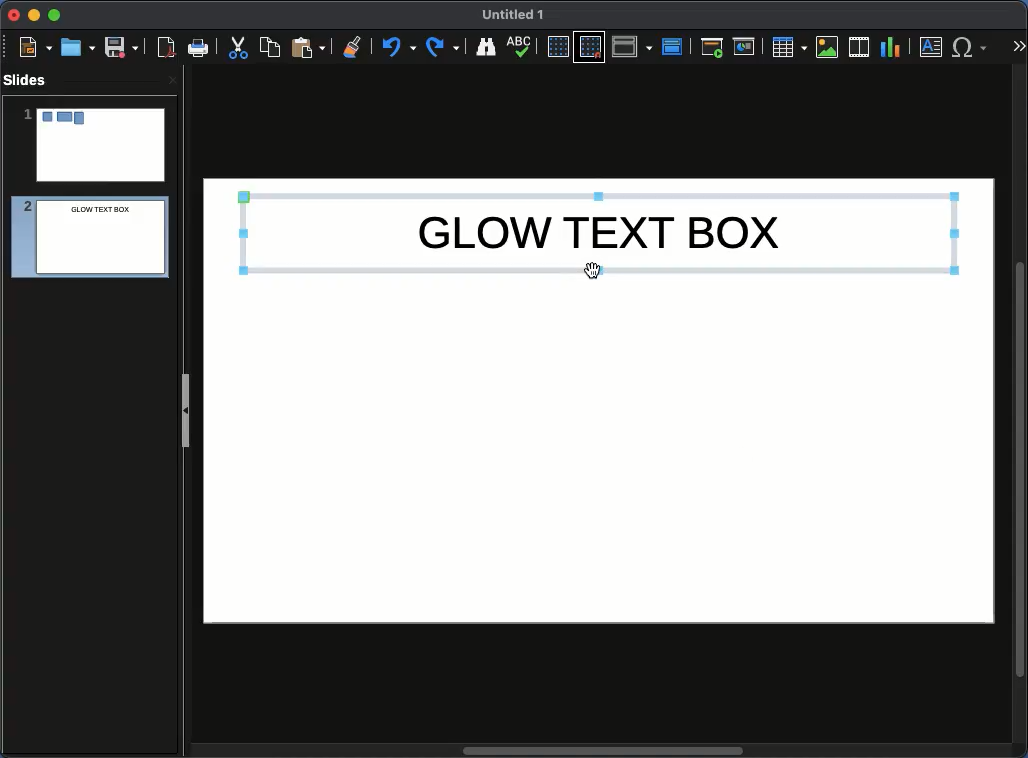  Describe the element at coordinates (35, 46) in the screenshot. I see `New` at that location.